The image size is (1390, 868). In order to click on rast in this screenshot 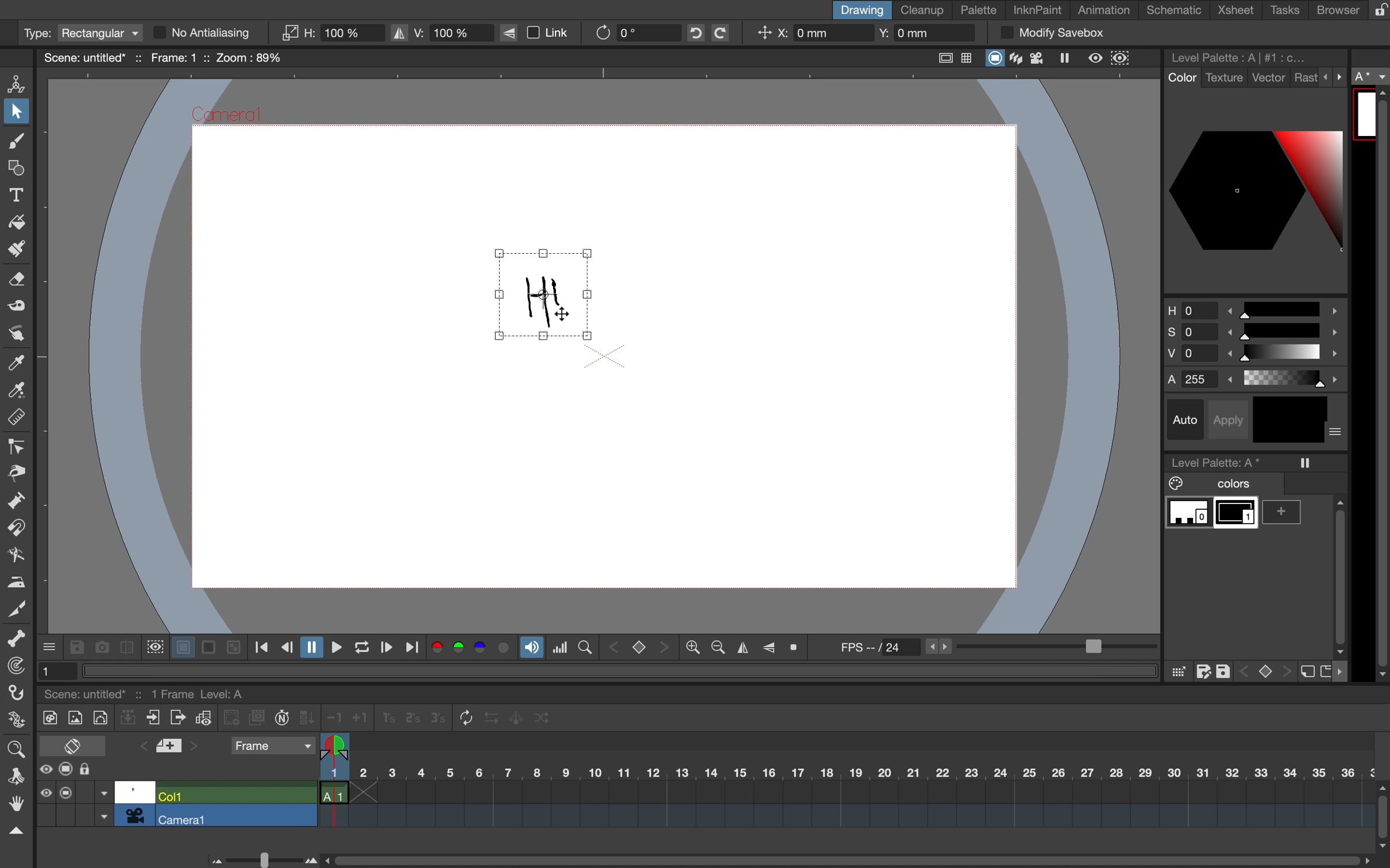, I will do `click(1305, 79)`.